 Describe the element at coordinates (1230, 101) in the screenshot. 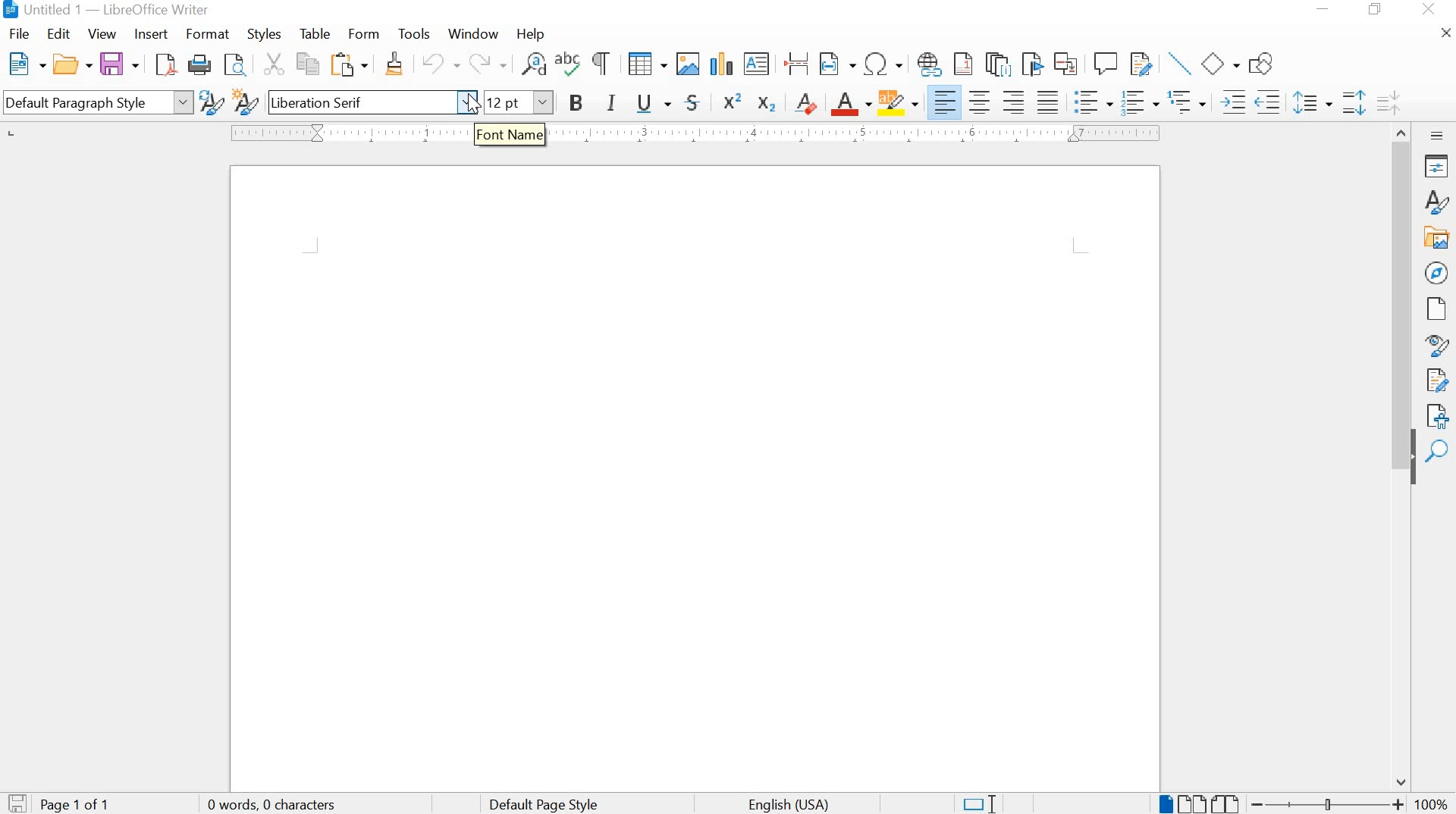

I see `INCREASE INDENT` at that location.